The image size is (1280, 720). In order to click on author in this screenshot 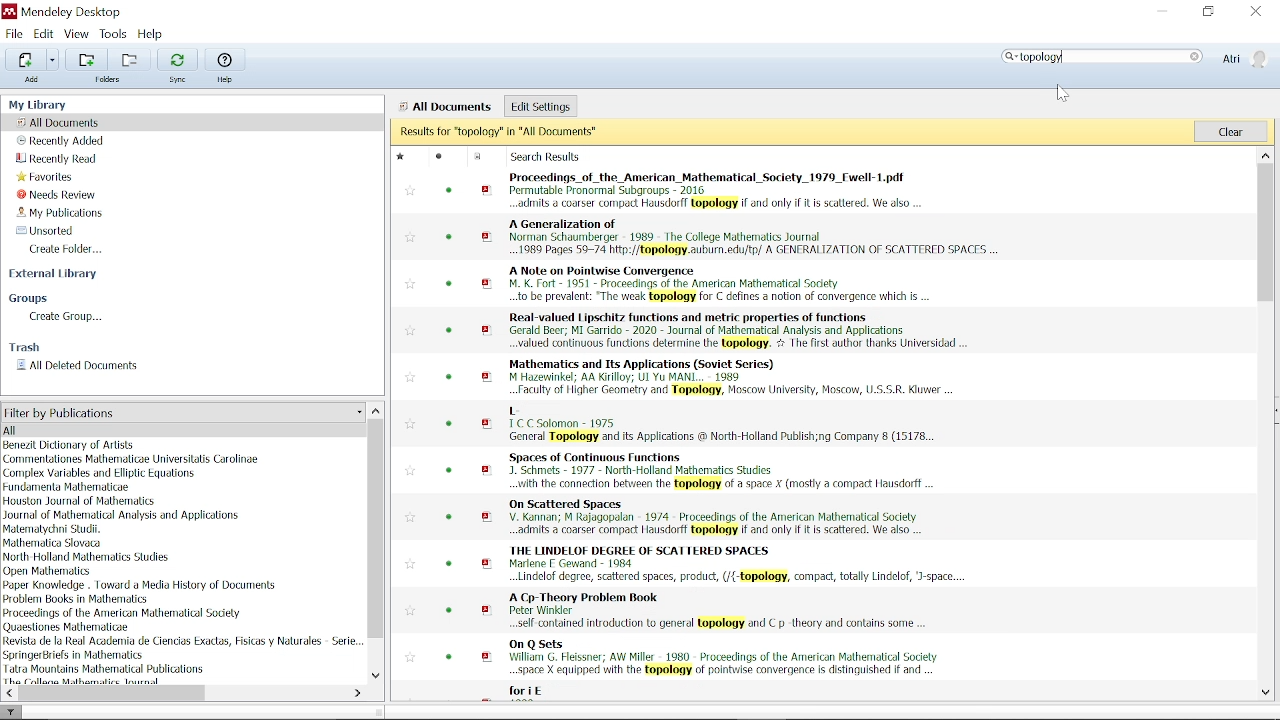, I will do `click(86, 681)`.